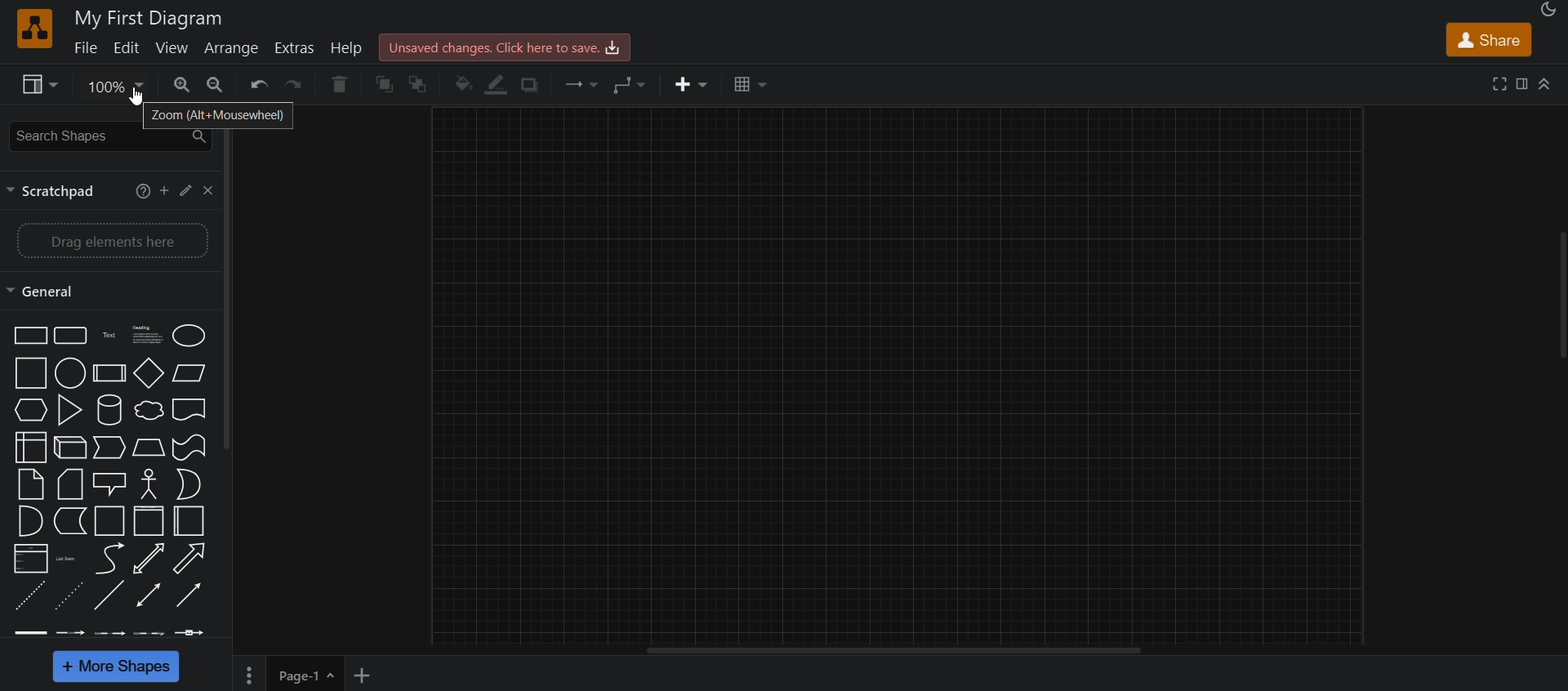  What do you see at coordinates (137, 192) in the screenshot?
I see `help` at bounding box center [137, 192].